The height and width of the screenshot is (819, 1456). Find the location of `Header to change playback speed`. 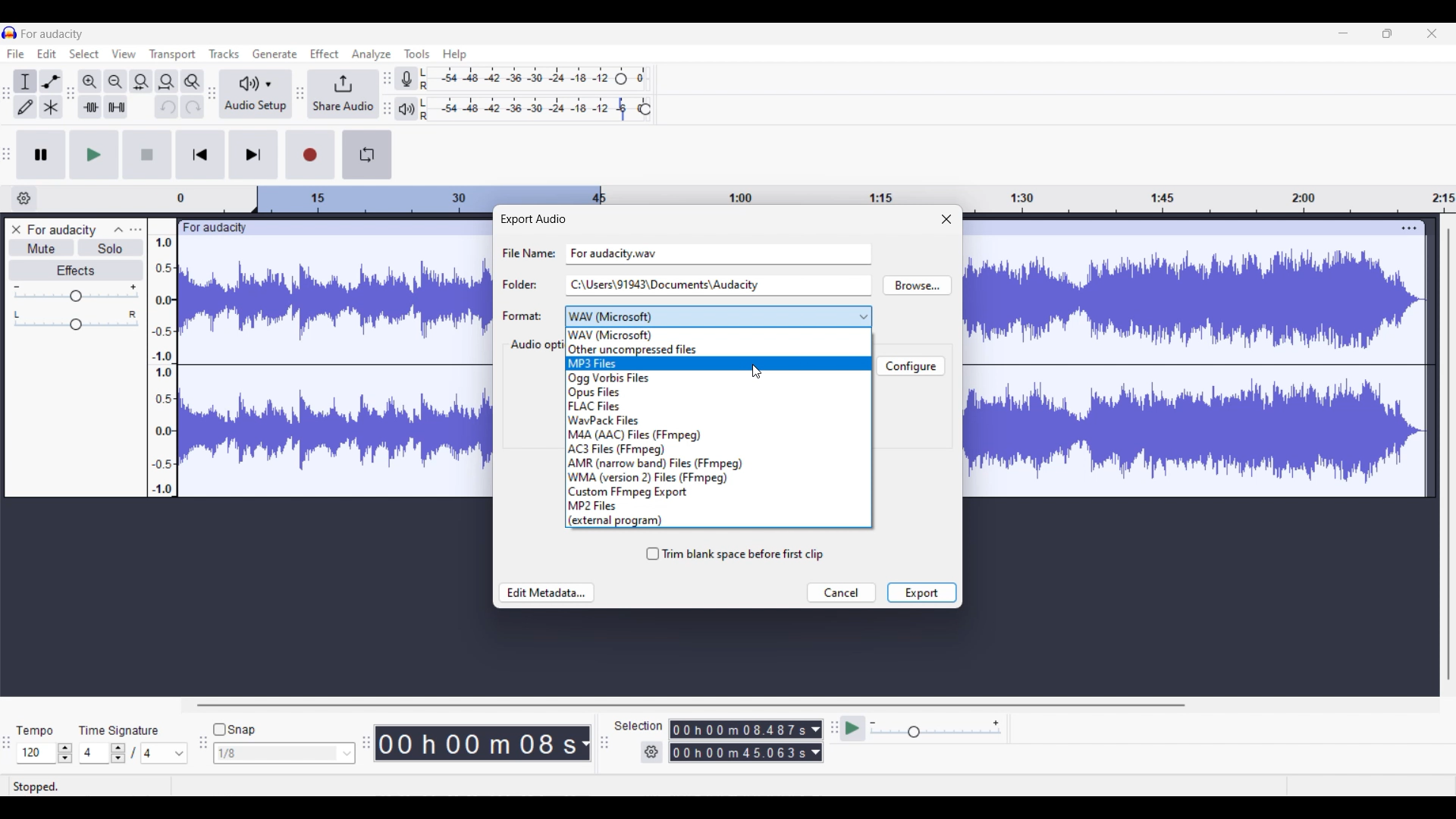

Header to change playback speed is located at coordinates (645, 109).